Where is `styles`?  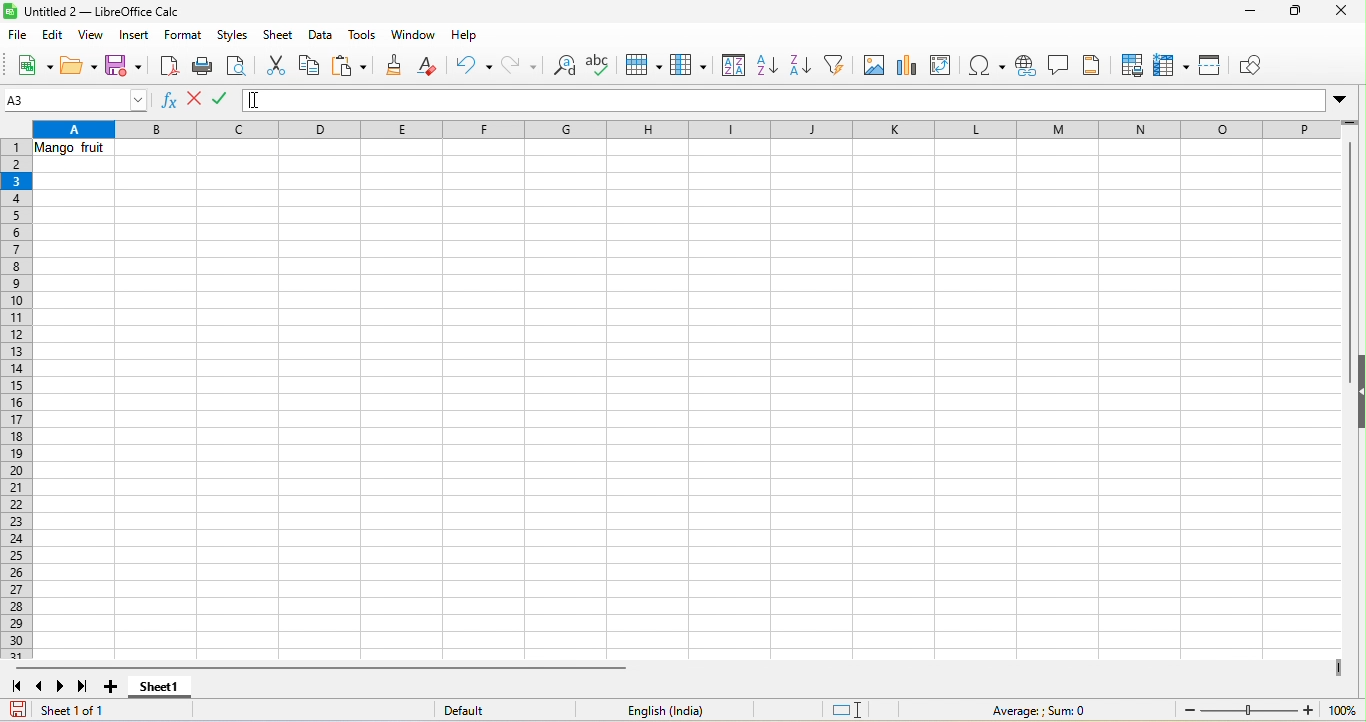
styles is located at coordinates (234, 36).